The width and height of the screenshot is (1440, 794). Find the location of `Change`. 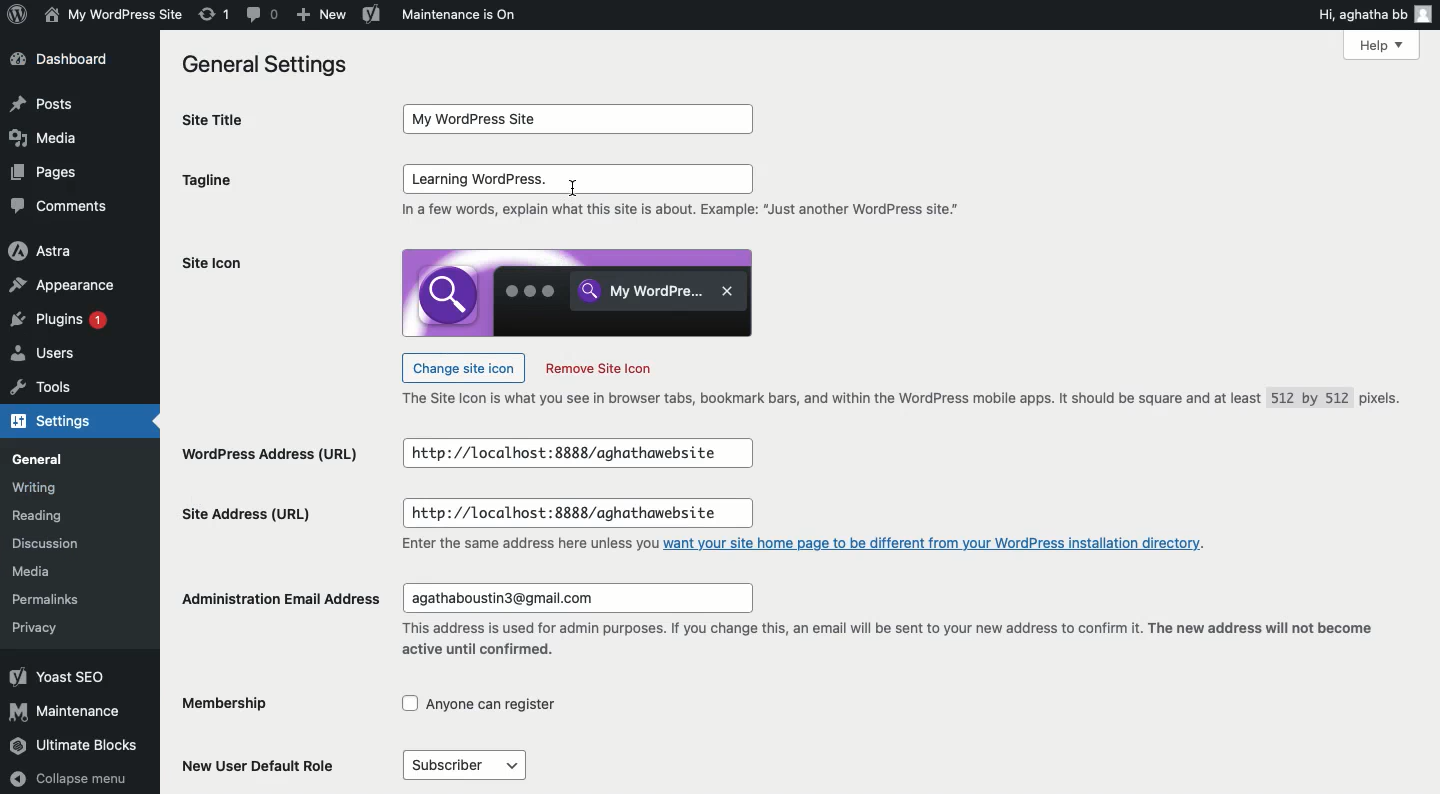

Change is located at coordinates (464, 368).